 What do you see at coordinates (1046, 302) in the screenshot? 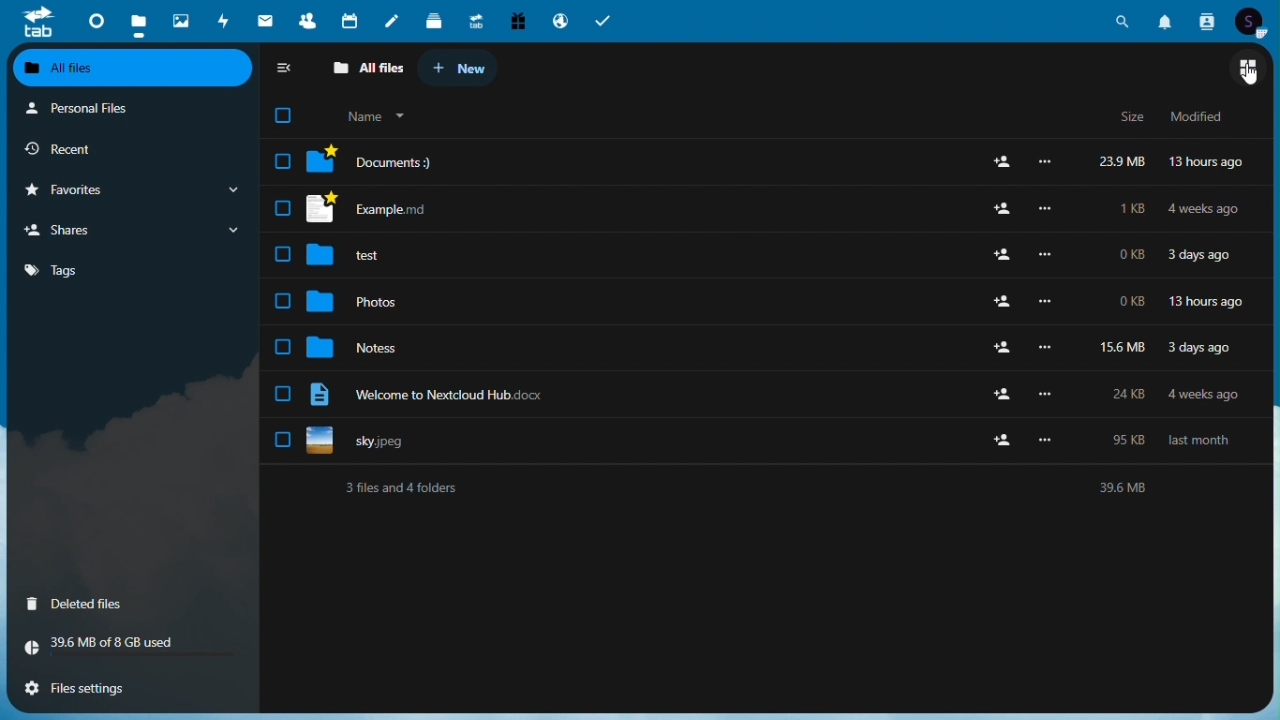
I see `more options` at bounding box center [1046, 302].